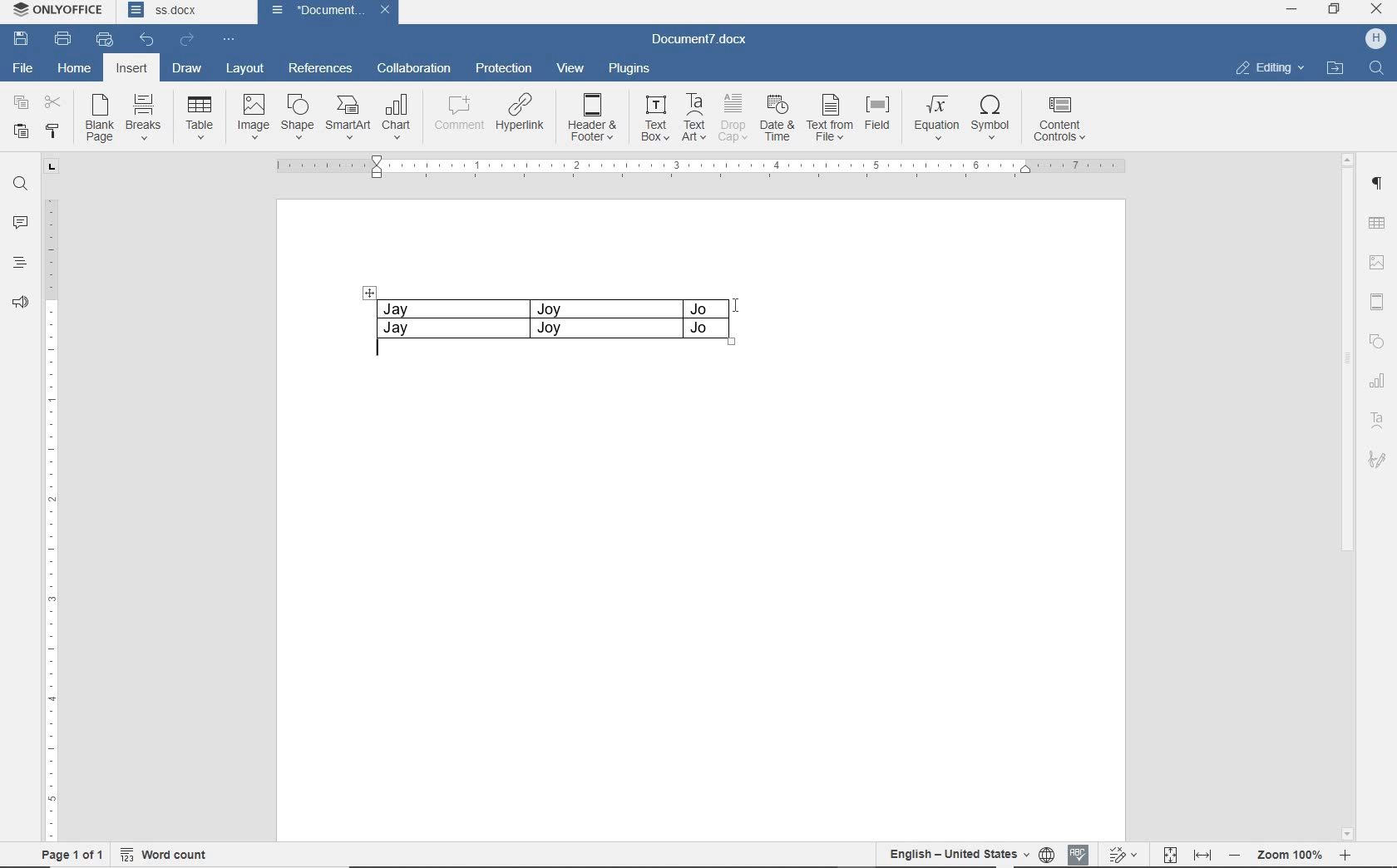  Describe the element at coordinates (143, 114) in the screenshot. I see `BREAKS` at that location.